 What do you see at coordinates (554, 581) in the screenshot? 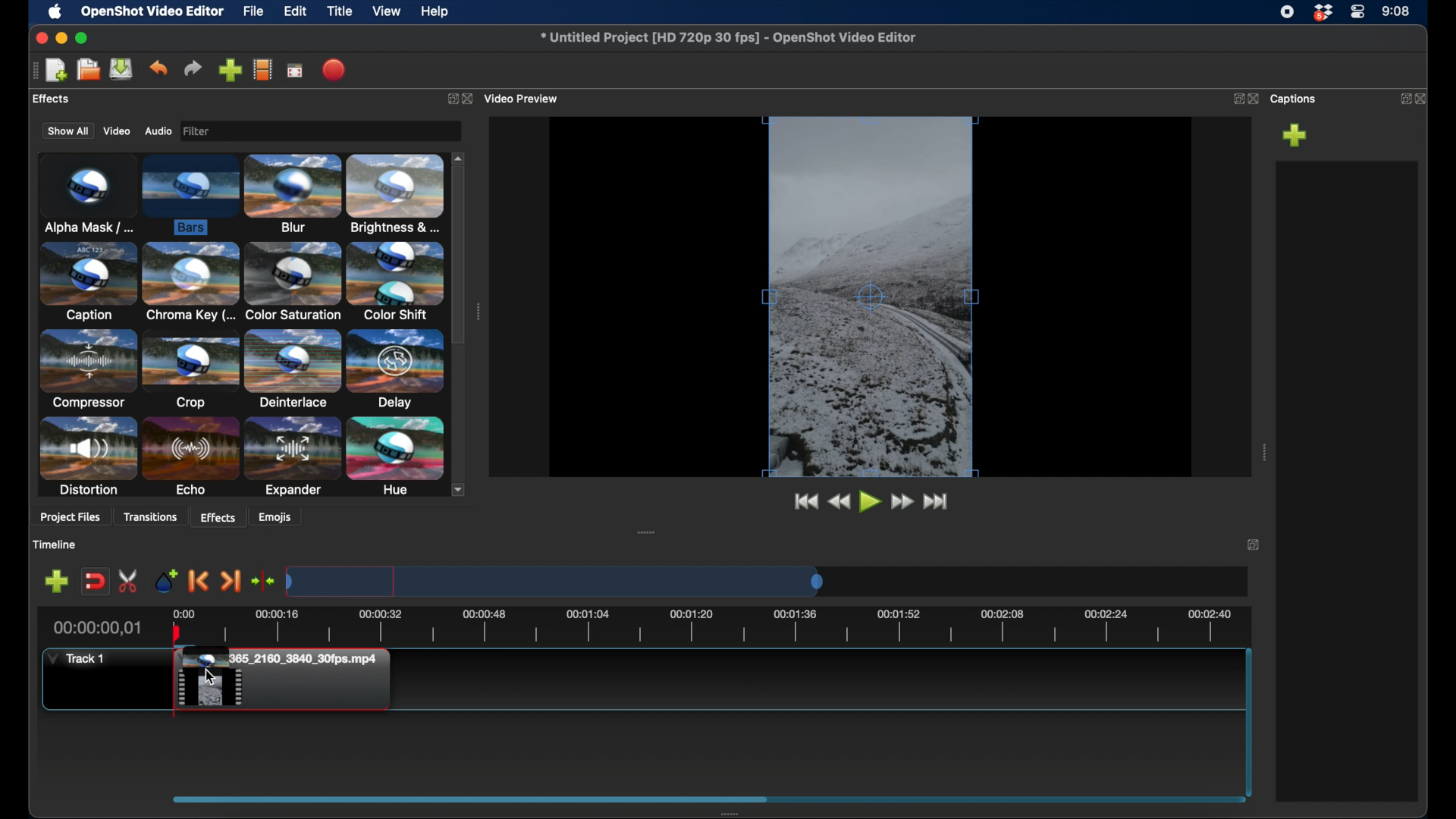
I see `timeline scale` at bounding box center [554, 581].